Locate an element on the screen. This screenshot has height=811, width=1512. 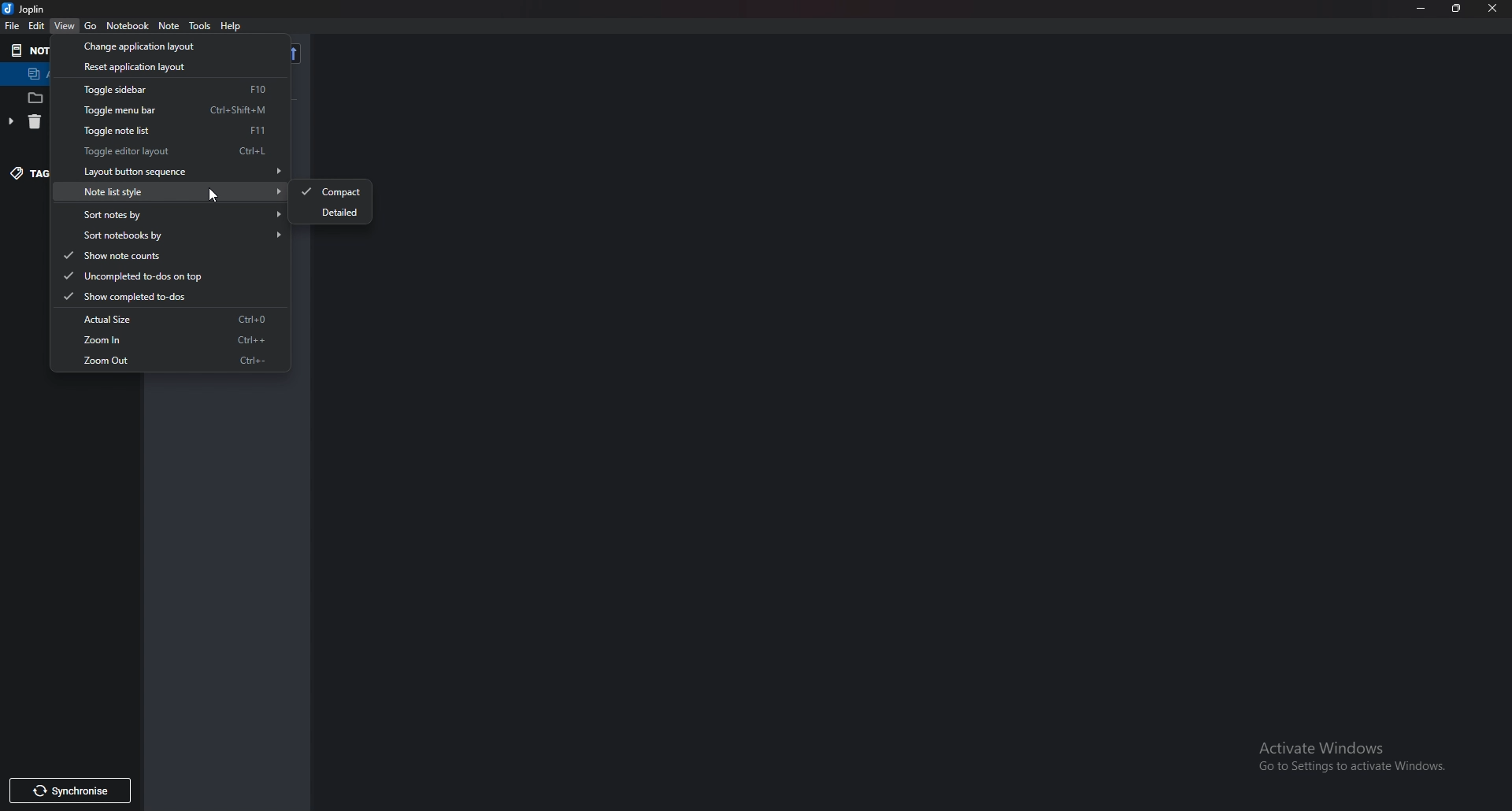
Toggle sidebar is located at coordinates (188, 90).